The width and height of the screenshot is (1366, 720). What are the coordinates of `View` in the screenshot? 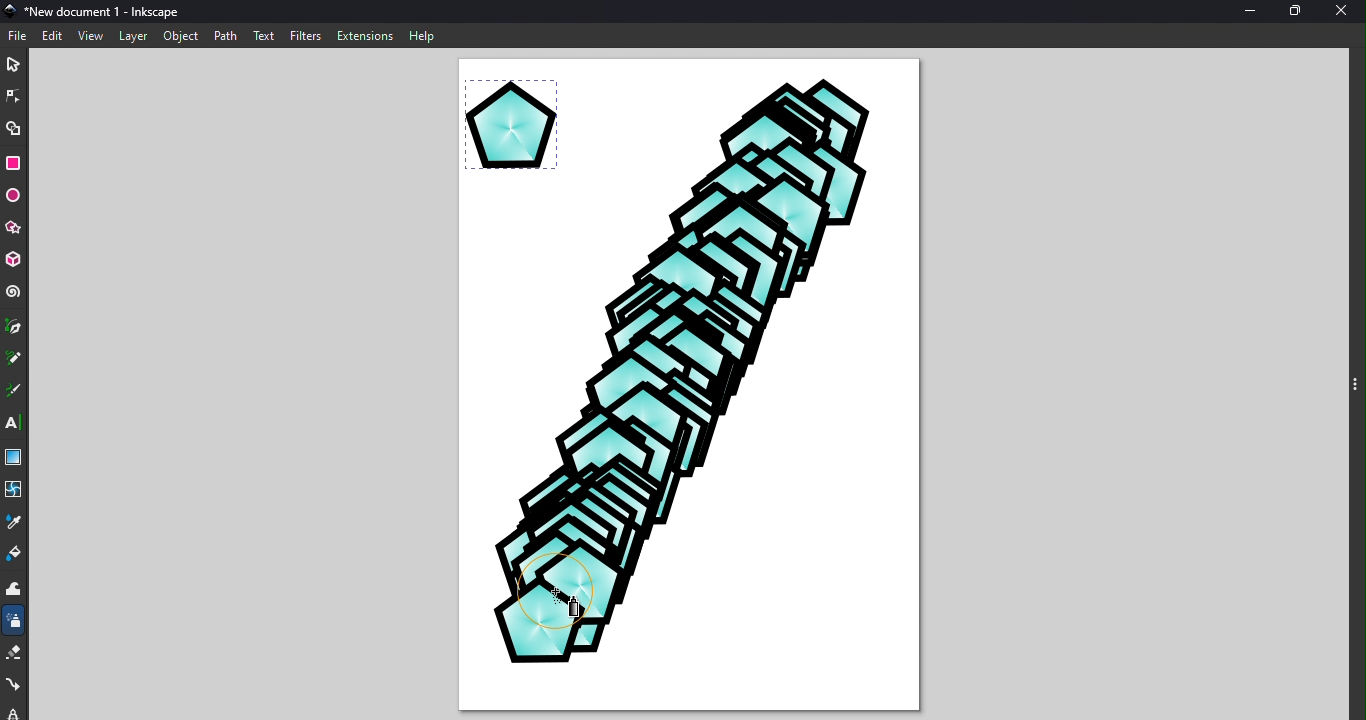 It's located at (88, 36).